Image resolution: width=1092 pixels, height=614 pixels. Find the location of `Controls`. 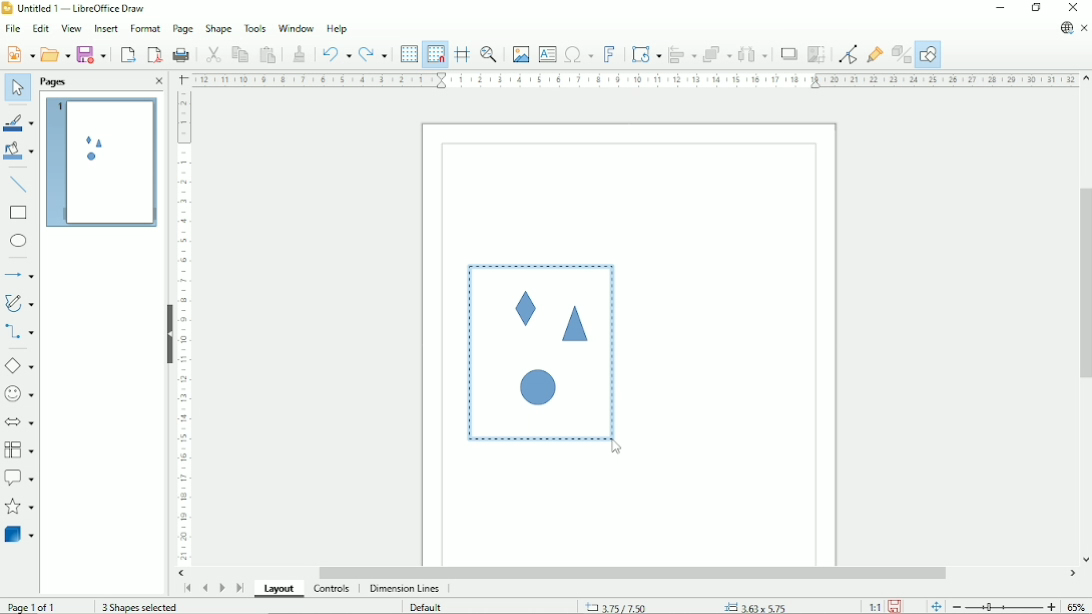

Controls is located at coordinates (332, 590).